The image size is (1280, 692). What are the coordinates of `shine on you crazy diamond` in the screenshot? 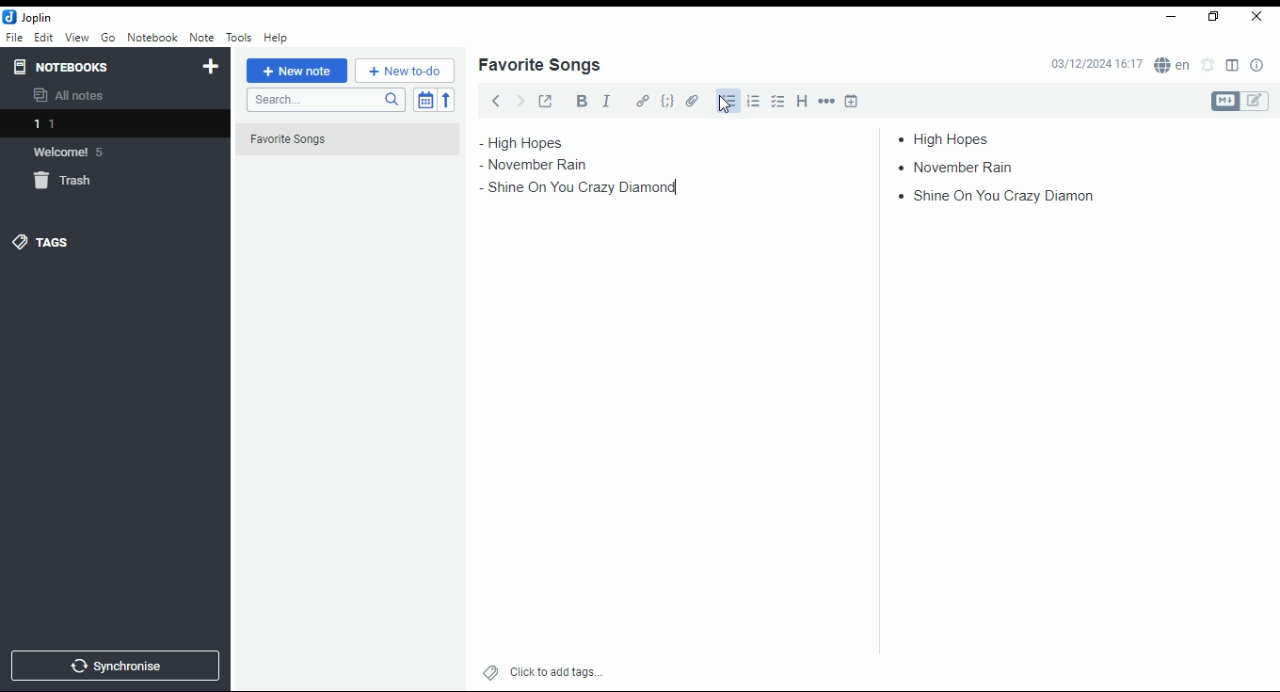 It's located at (993, 197).